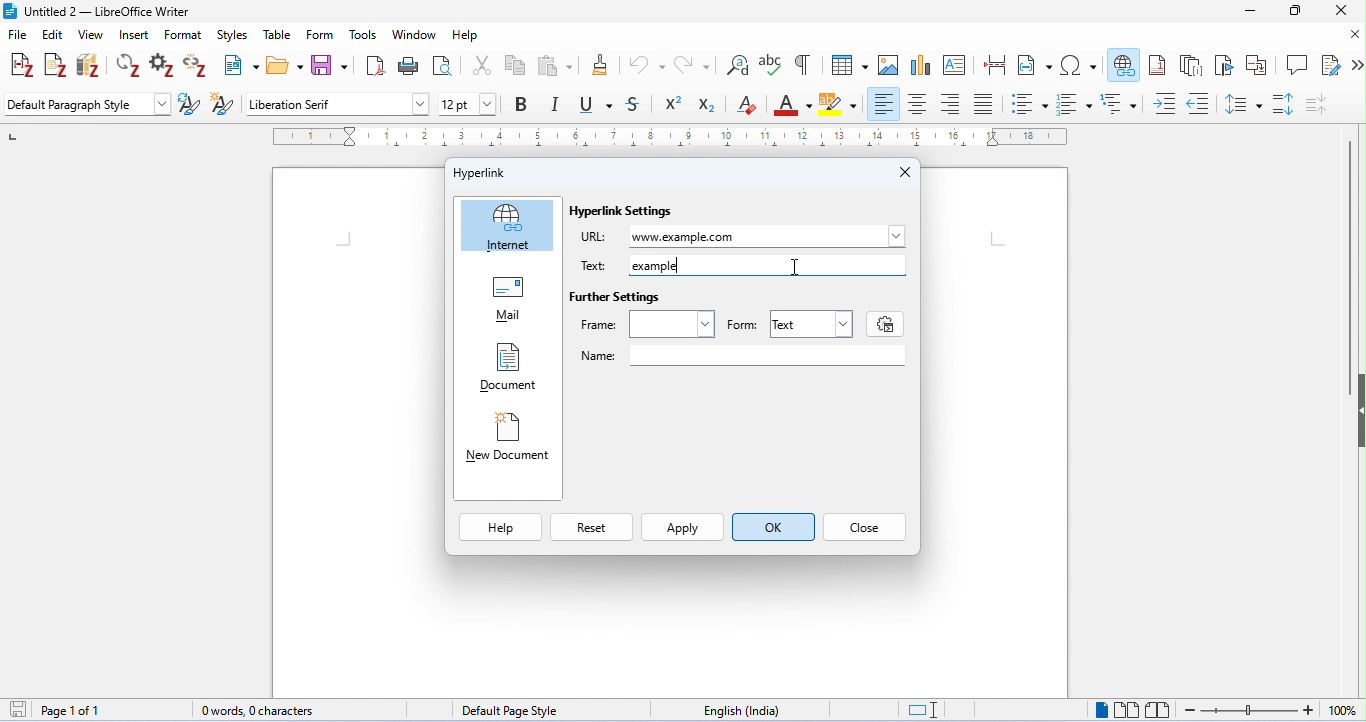 This screenshot has width=1366, height=722. I want to click on single page view, so click(1099, 710).